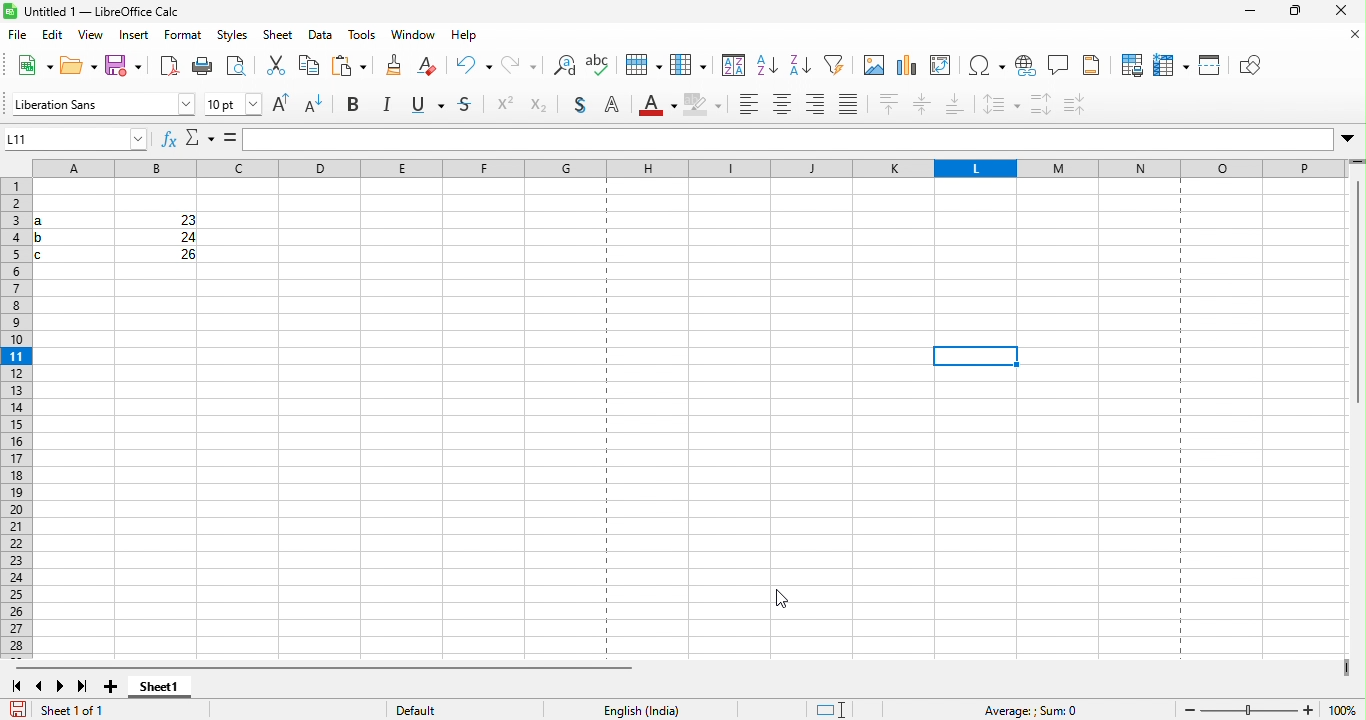 The image size is (1366, 720). Describe the element at coordinates (1002, 105) in the screenshot. I see `set line spacing ` at that location.